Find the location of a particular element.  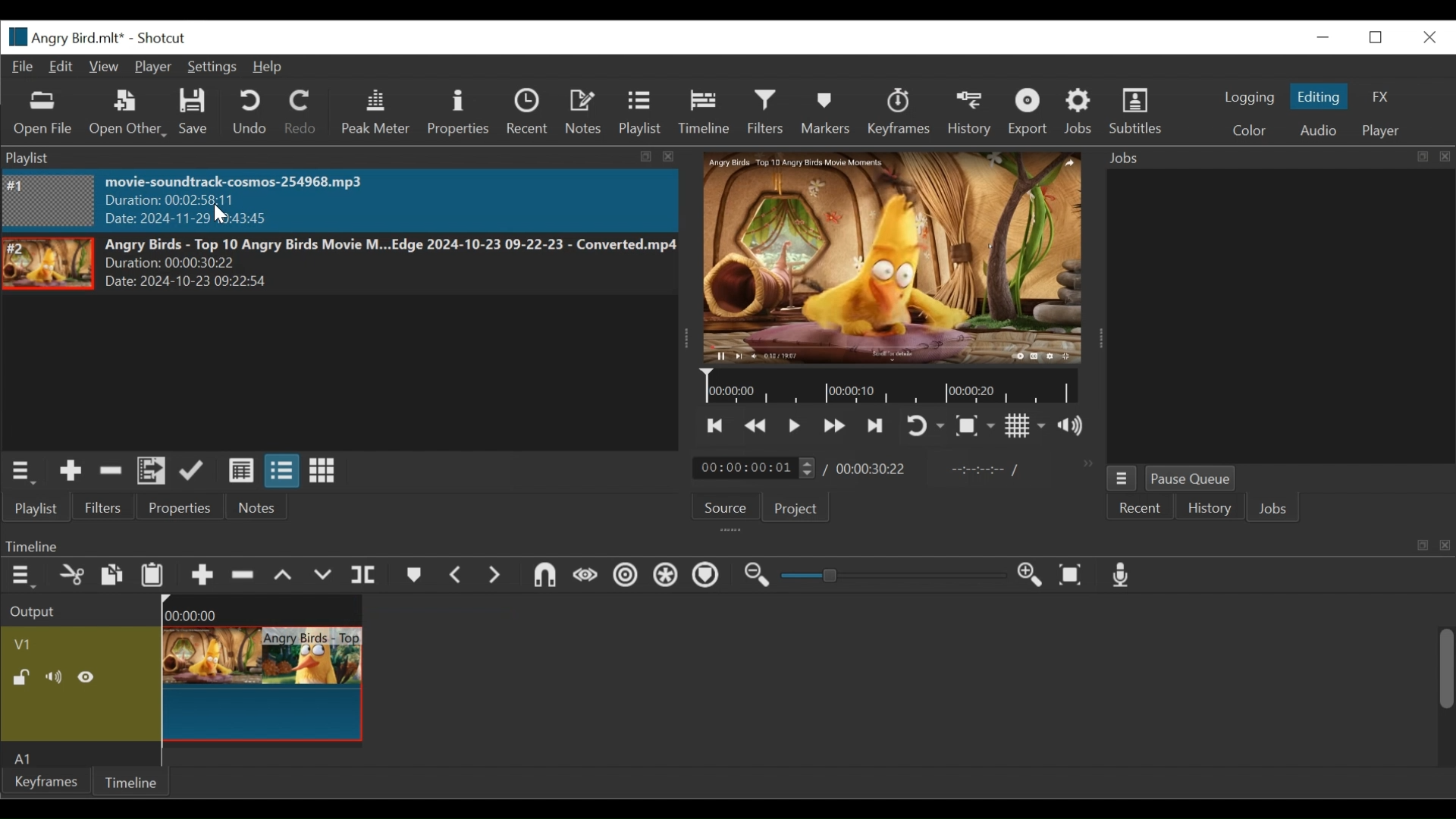

(un)lock is located at coordinates (21, 676).